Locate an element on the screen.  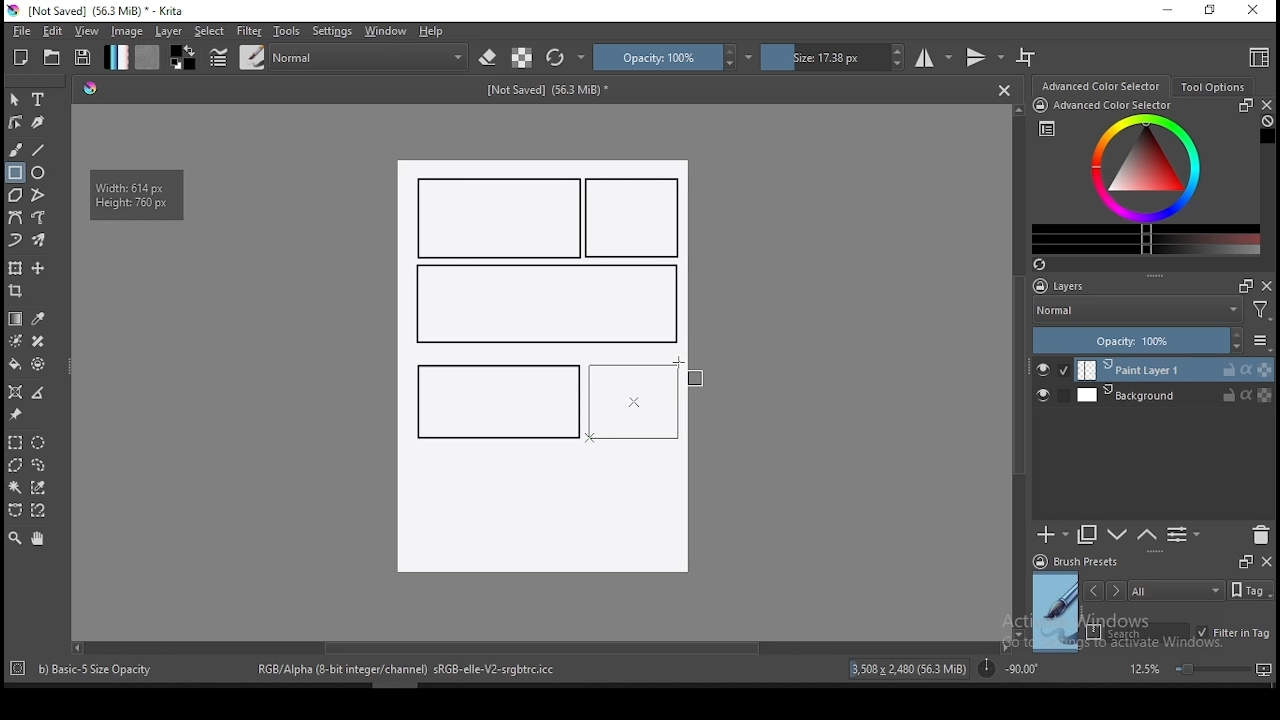
windows is located at coordinates (386, 31).